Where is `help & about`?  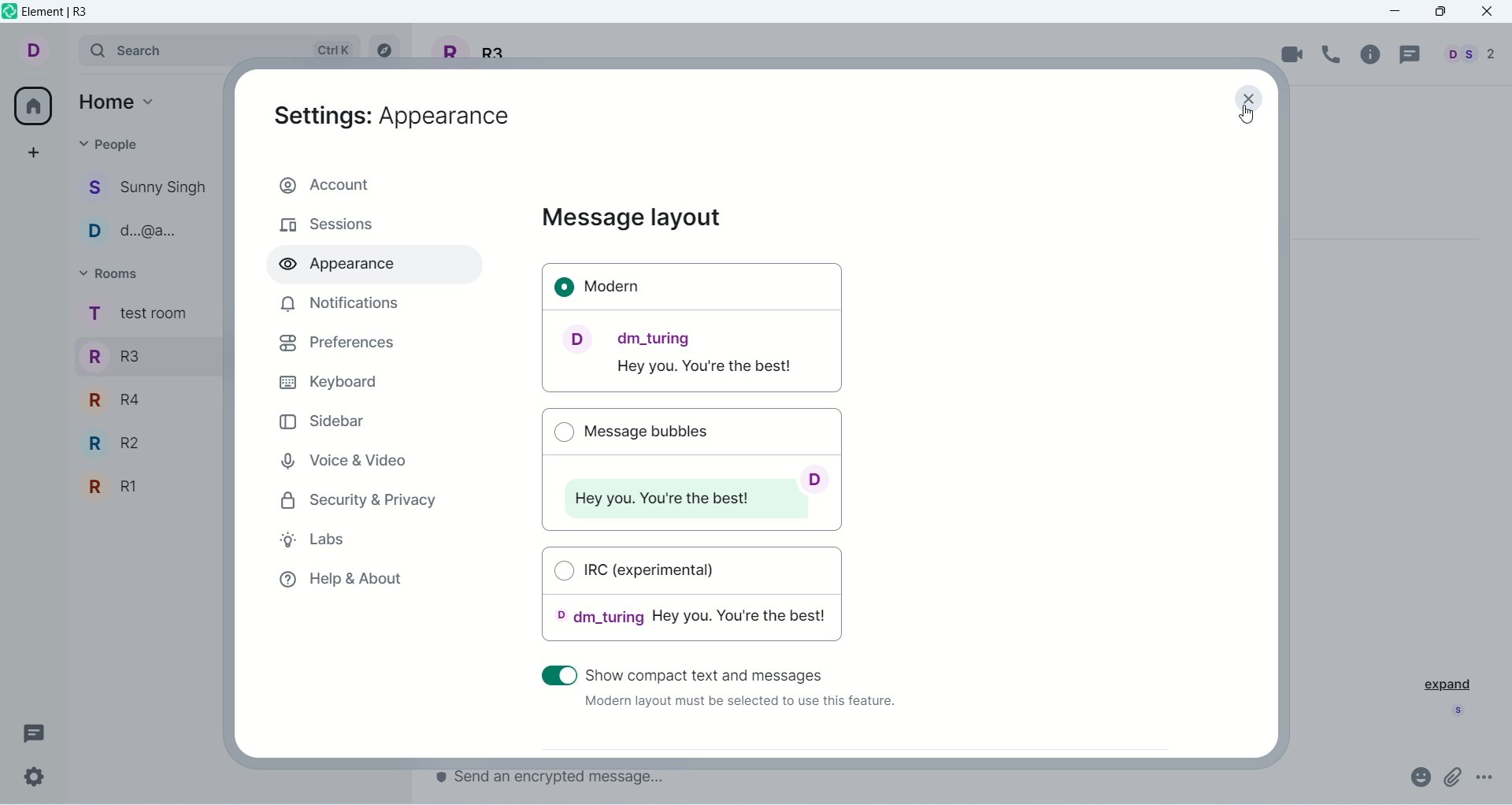
help & about is located at coordinates (339, 583).